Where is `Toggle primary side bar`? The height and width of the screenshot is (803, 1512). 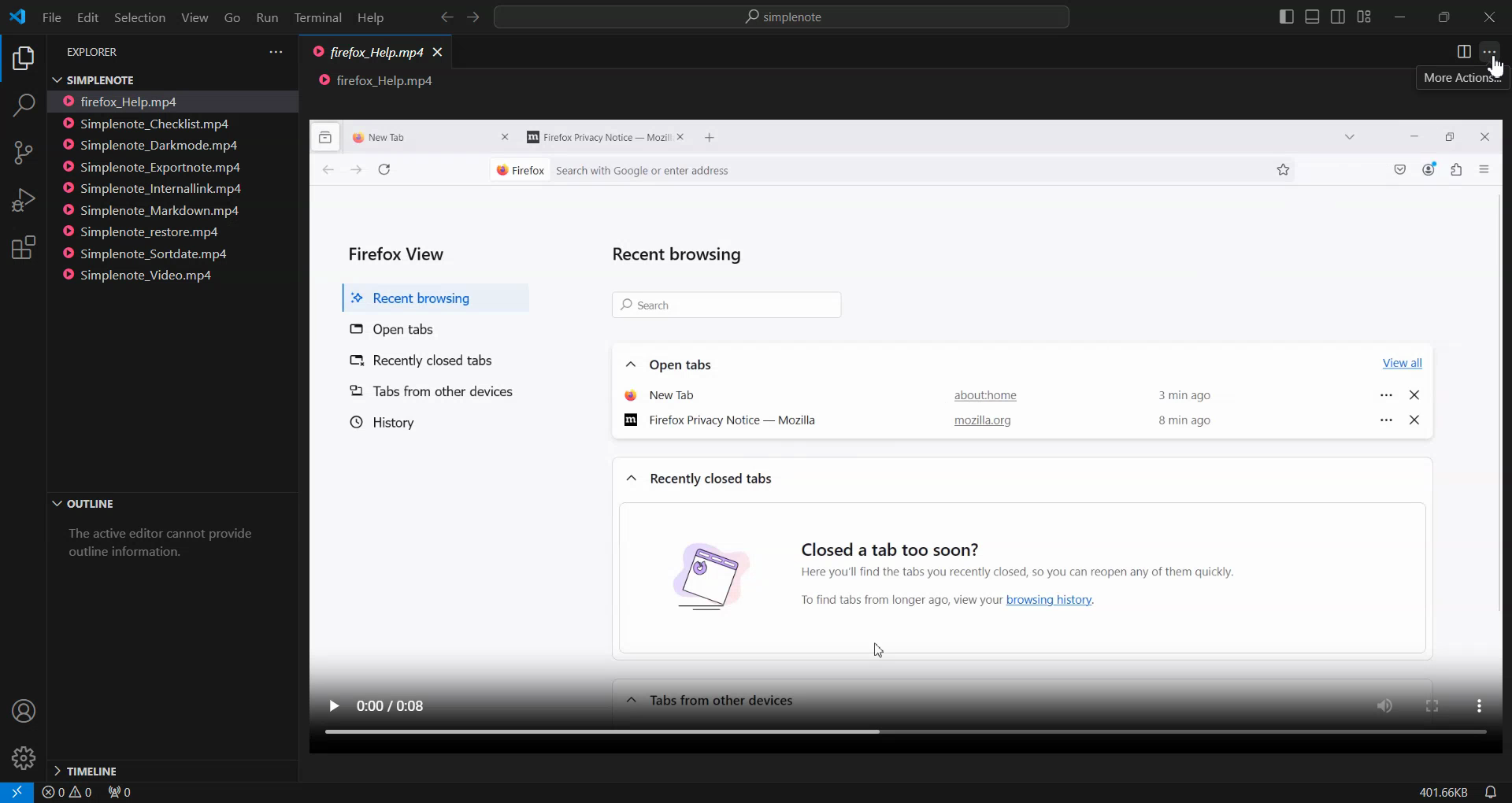 Toggle primary side bar is located at coordinates (1288, 17).